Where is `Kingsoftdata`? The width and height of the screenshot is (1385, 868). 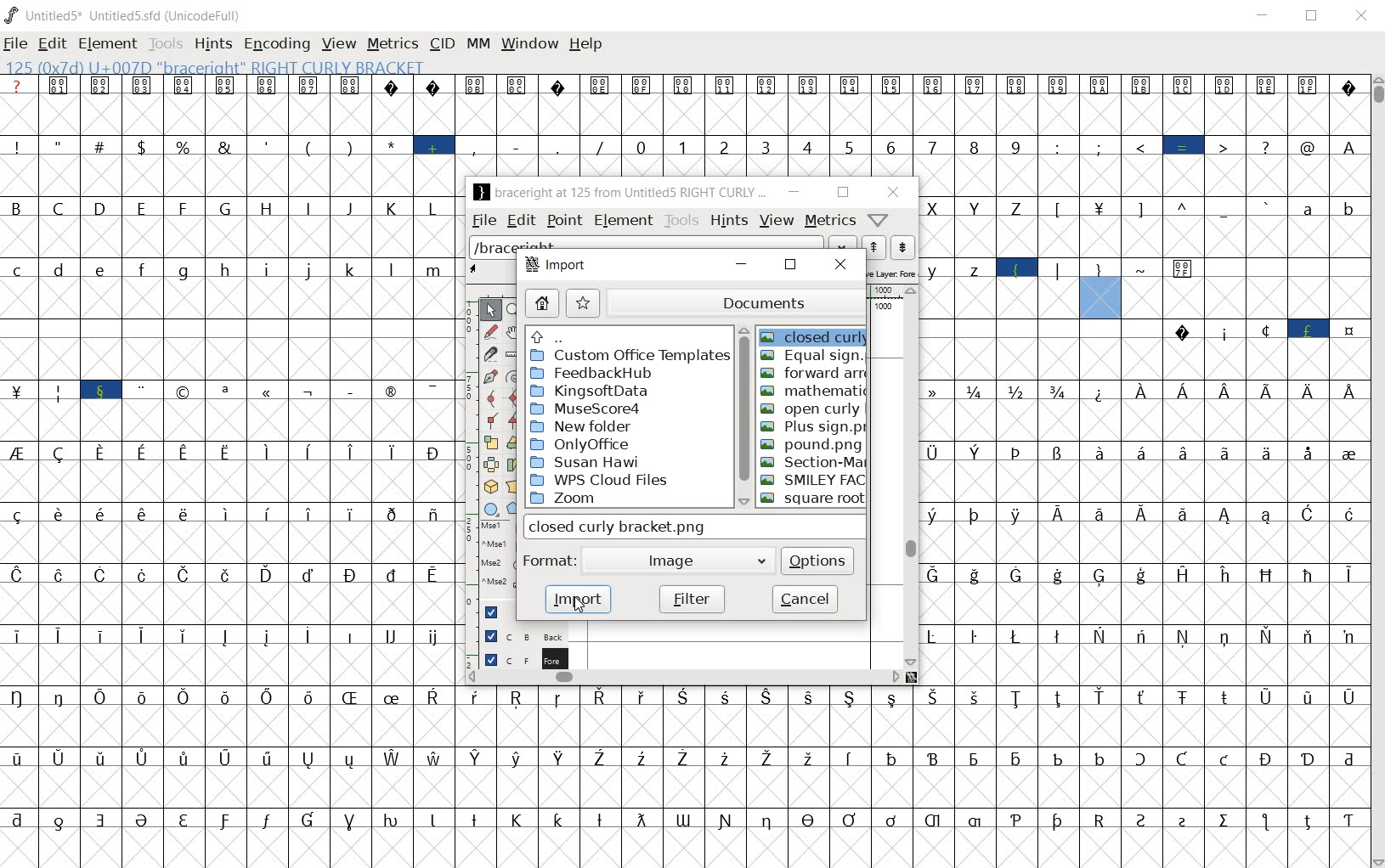 Kingsoftdata is located at coordinates (590, 392).